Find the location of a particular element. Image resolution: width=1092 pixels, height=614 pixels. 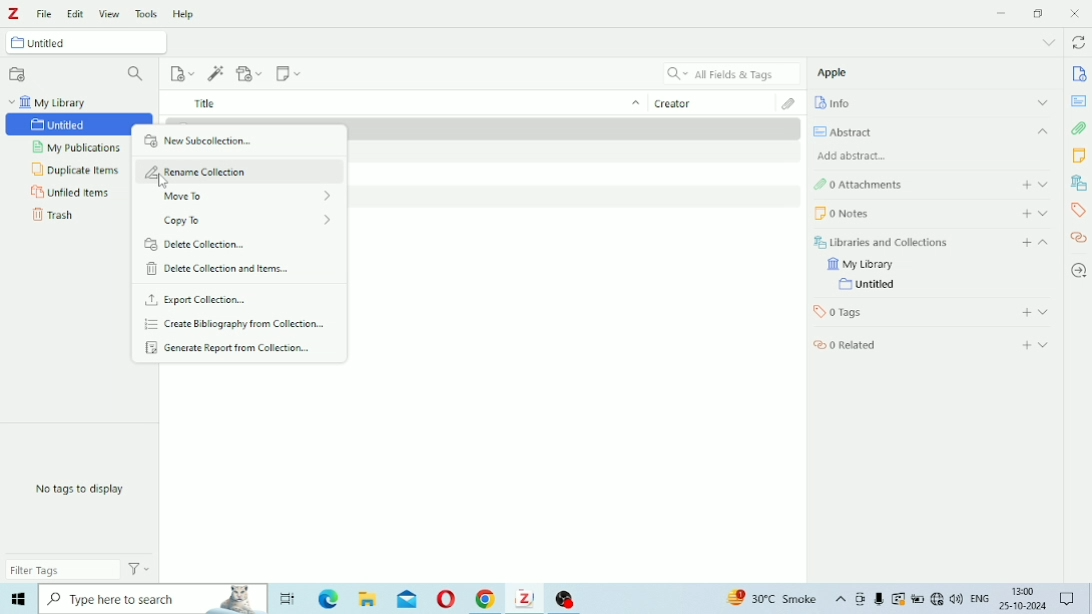

Logo is located at coordinates (15, 13).